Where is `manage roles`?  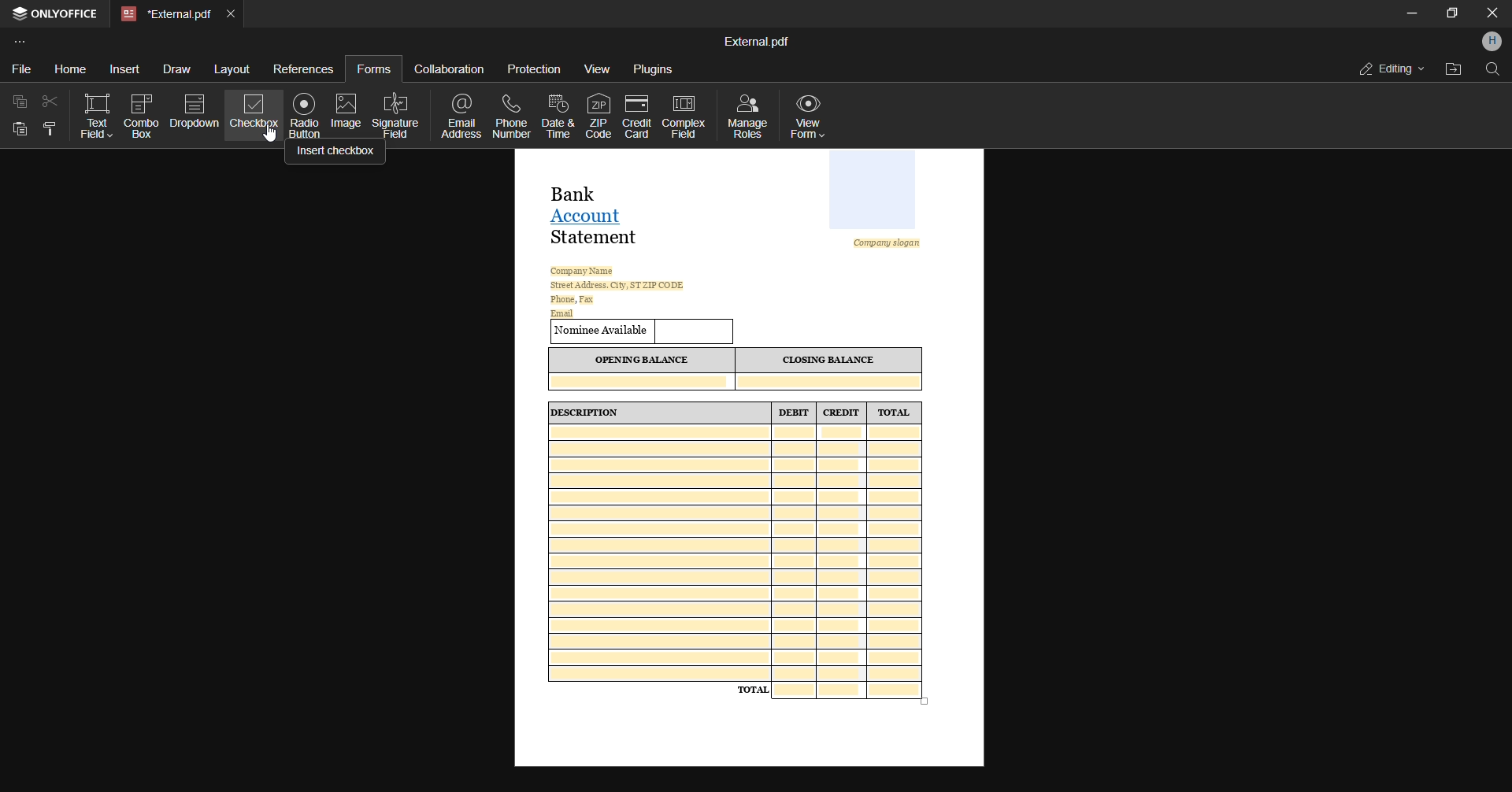 manage roles is located at coordinates (747, 114).